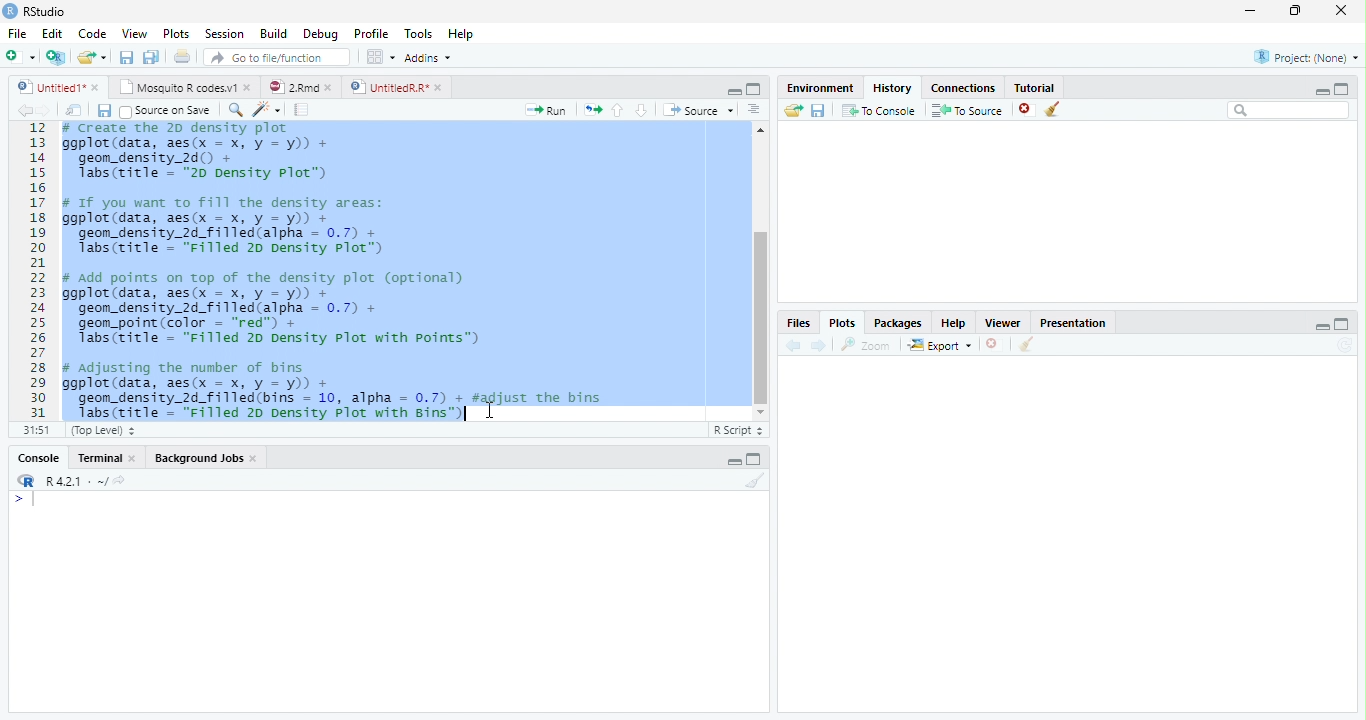  What do you see at coordinates (267, 110) in the screenshot?
I see `code tool` at bounding box center [267, 110].